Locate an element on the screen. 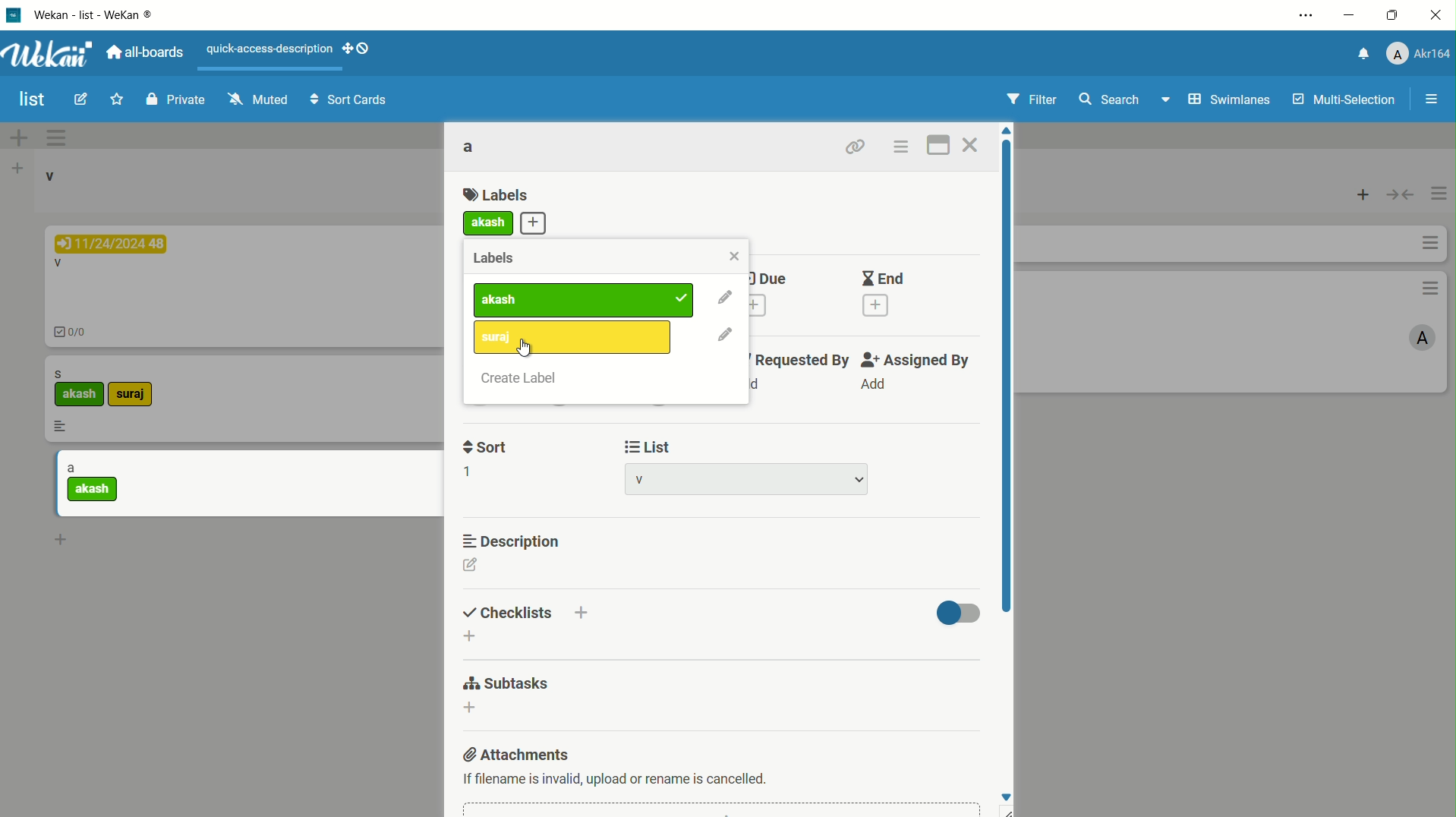  add checklist is located at coordinates (471, 635).